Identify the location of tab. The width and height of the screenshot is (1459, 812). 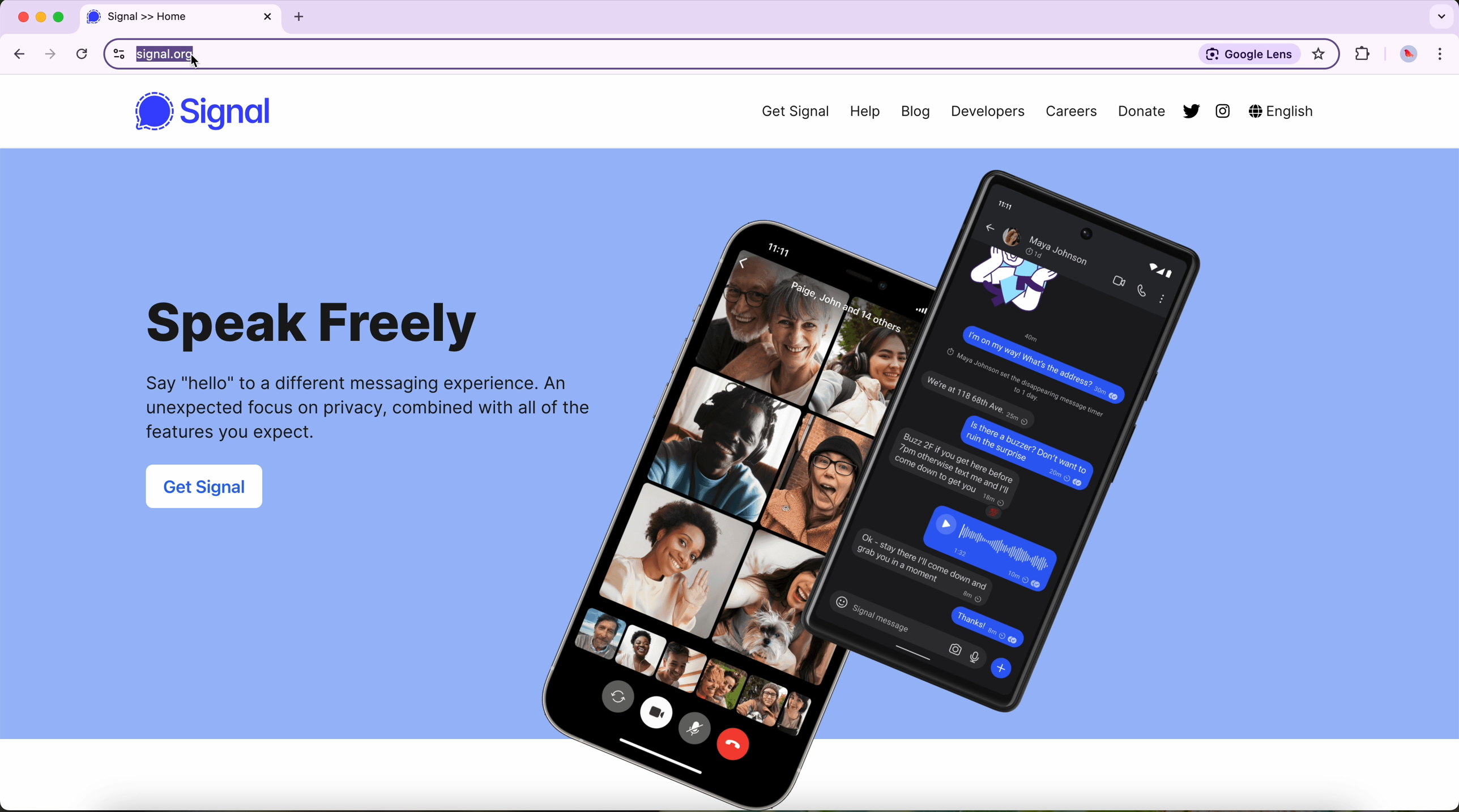
(181, 18).